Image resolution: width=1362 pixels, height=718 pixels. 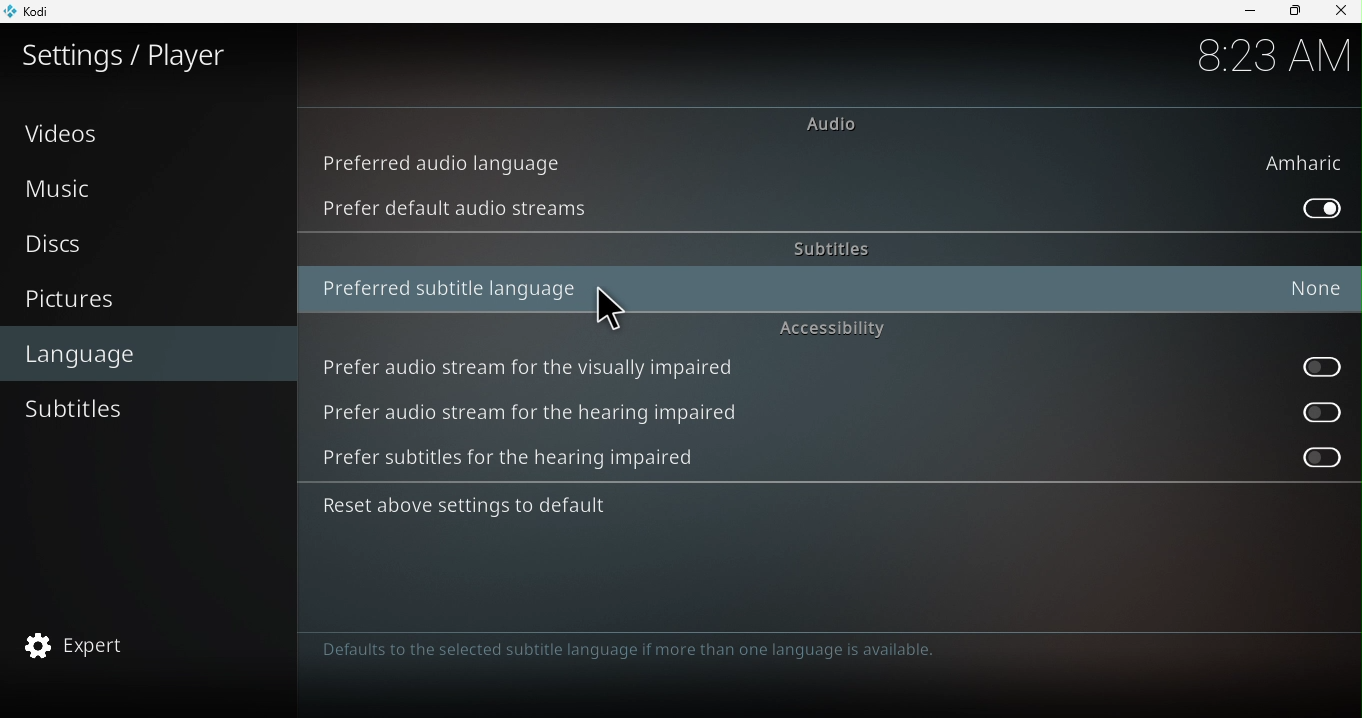 I want to click on Preferred audio language : Amharic, so click(x=840, y=164).